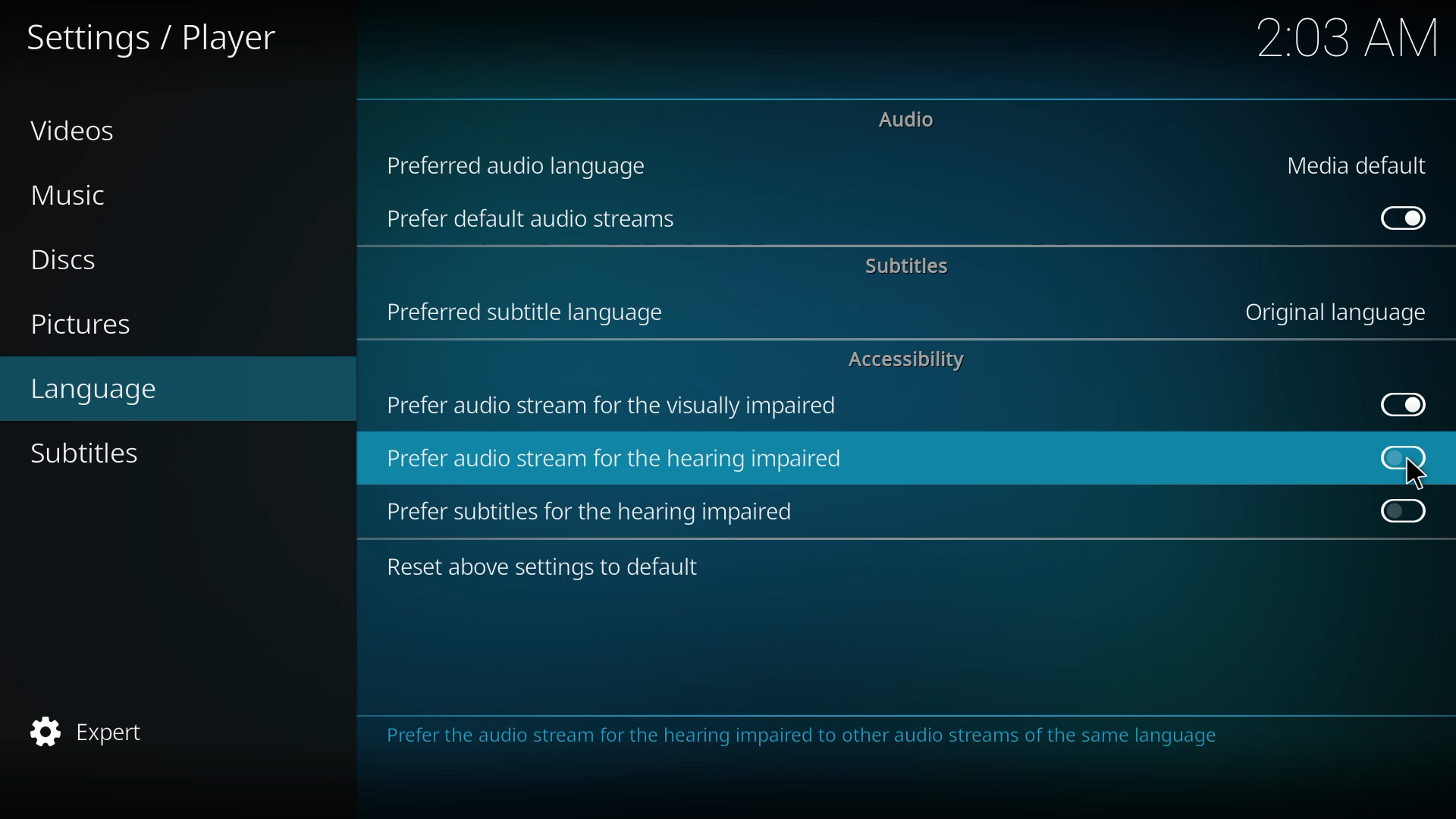  Describe the element at coordinates (62, 257) in the screenshot. I see `discs` at that location.